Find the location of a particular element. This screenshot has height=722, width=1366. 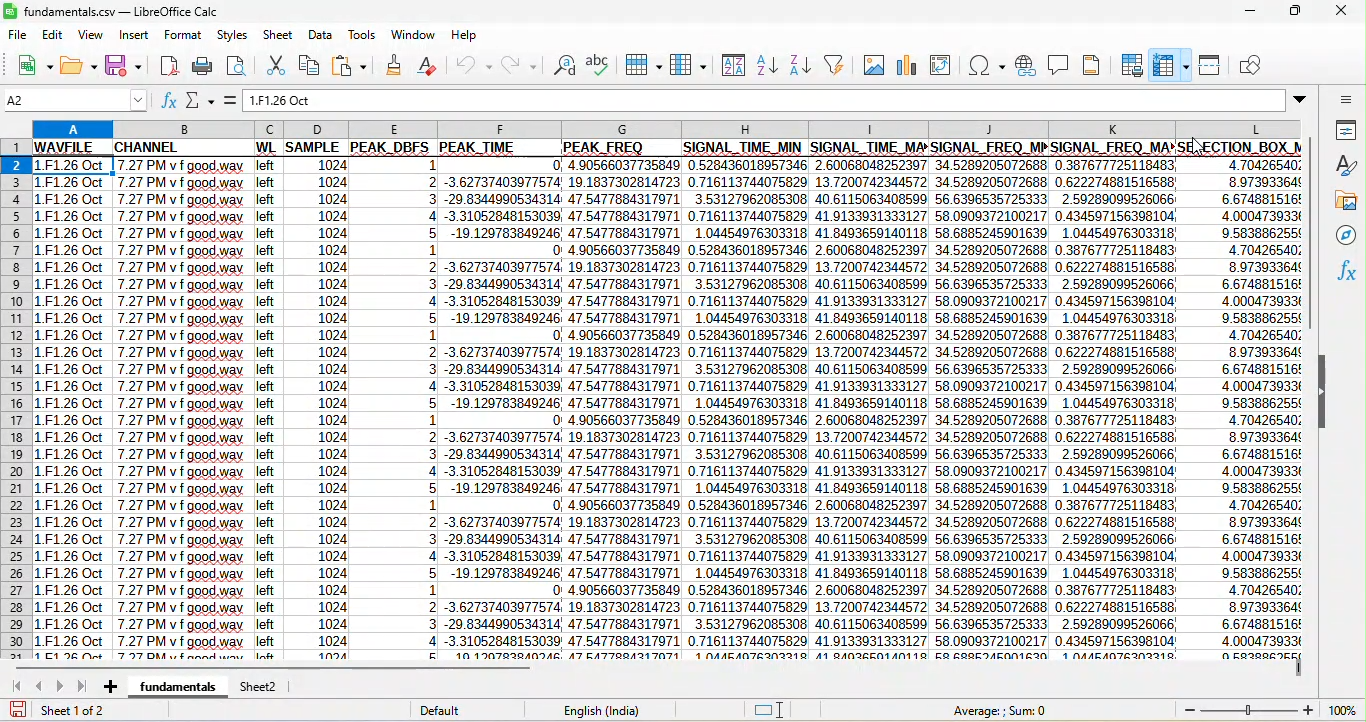

next sheet is located at coordinates (62, 683).